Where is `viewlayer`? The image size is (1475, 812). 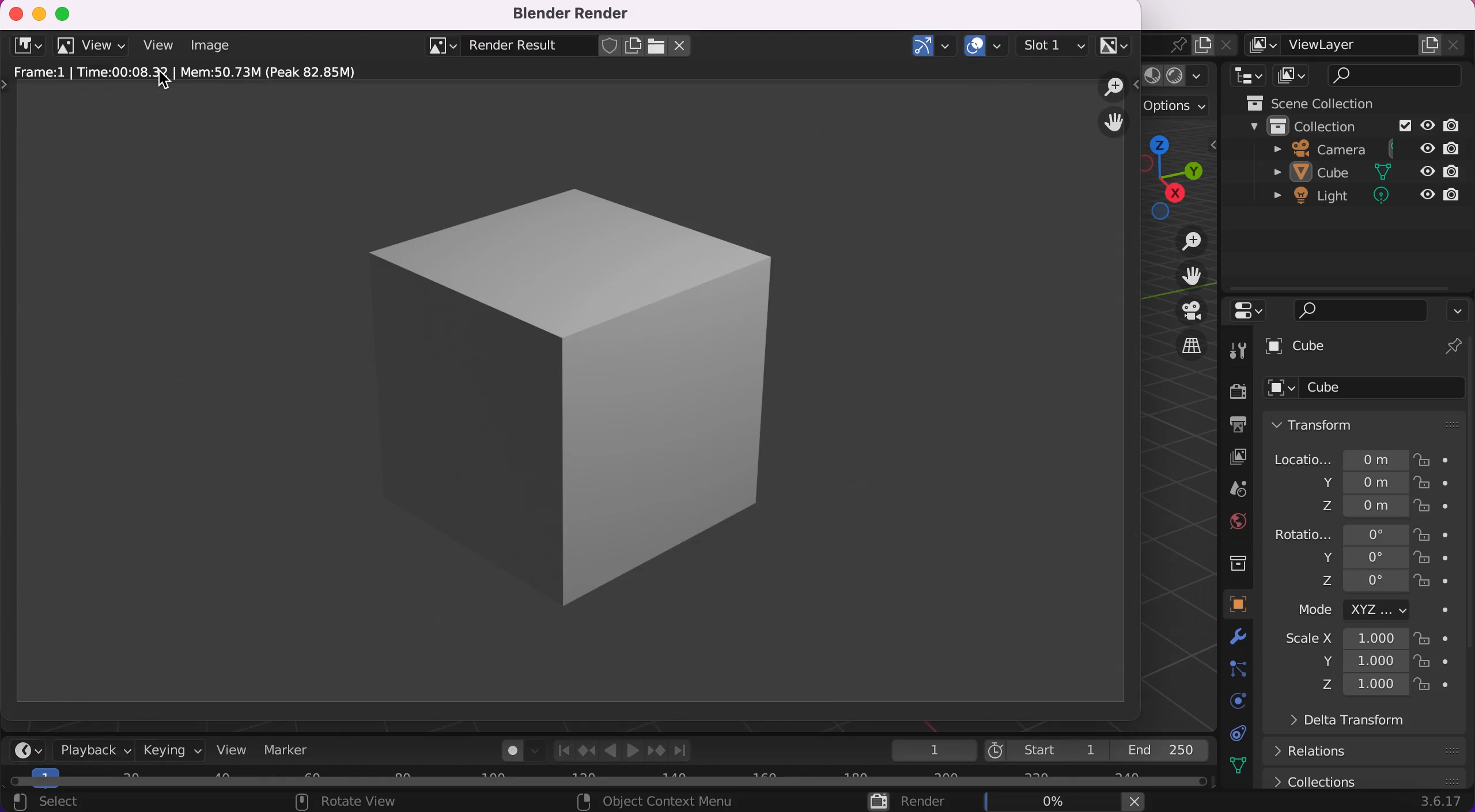 viewlayer is located at coordinates (1356, 48).